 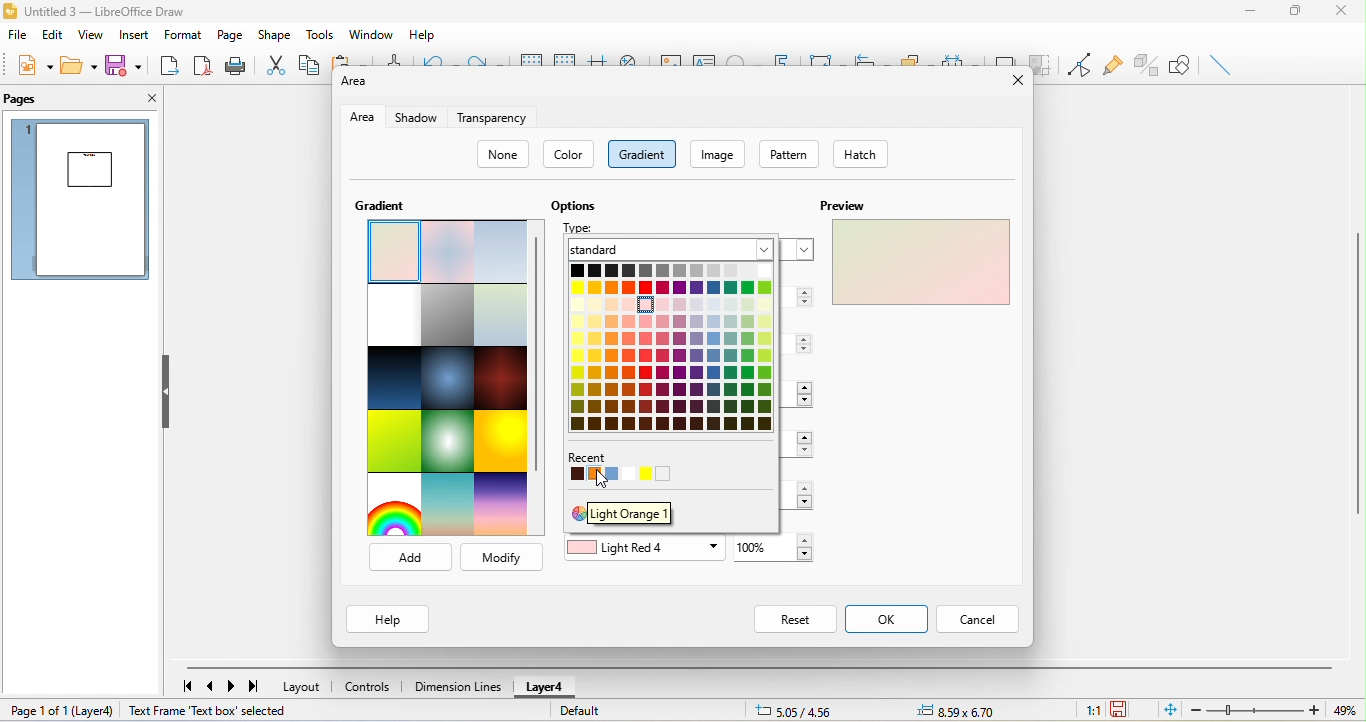 I want to click on align object , so click(x=868, y=57).